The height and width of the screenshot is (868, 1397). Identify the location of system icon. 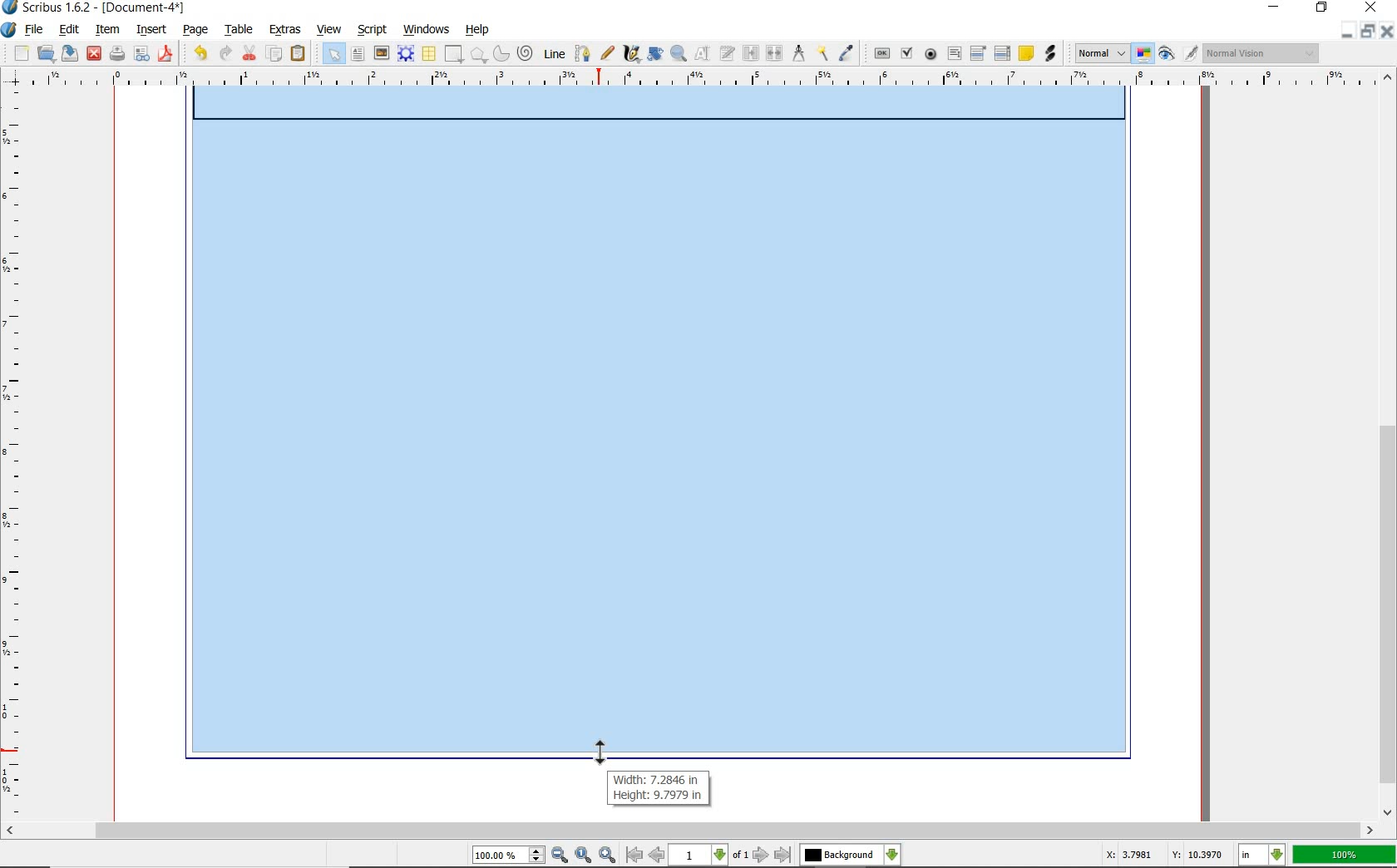
(9, 29).